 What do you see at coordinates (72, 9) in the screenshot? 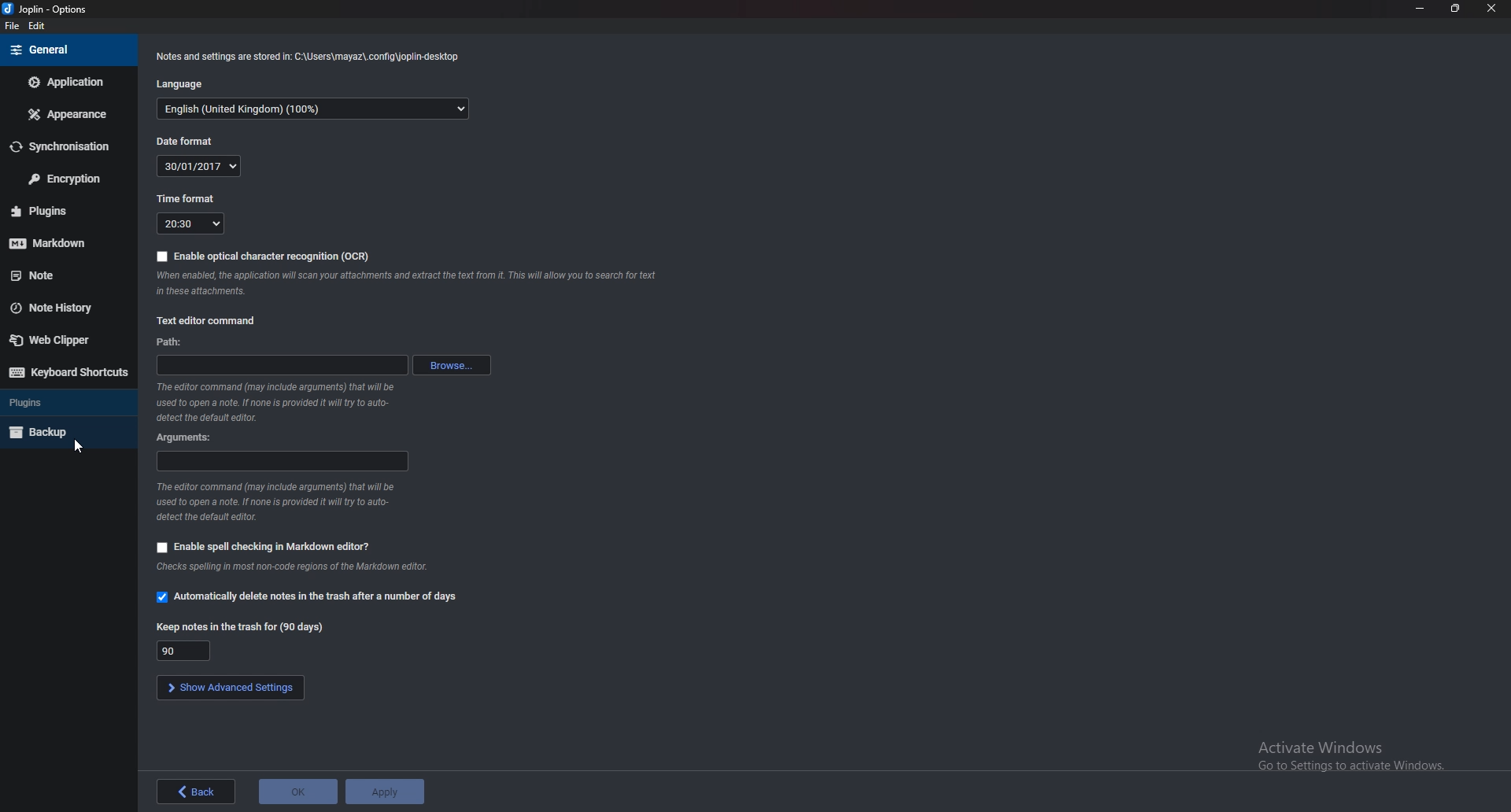
I see `options` at bounding box center [72, 9].